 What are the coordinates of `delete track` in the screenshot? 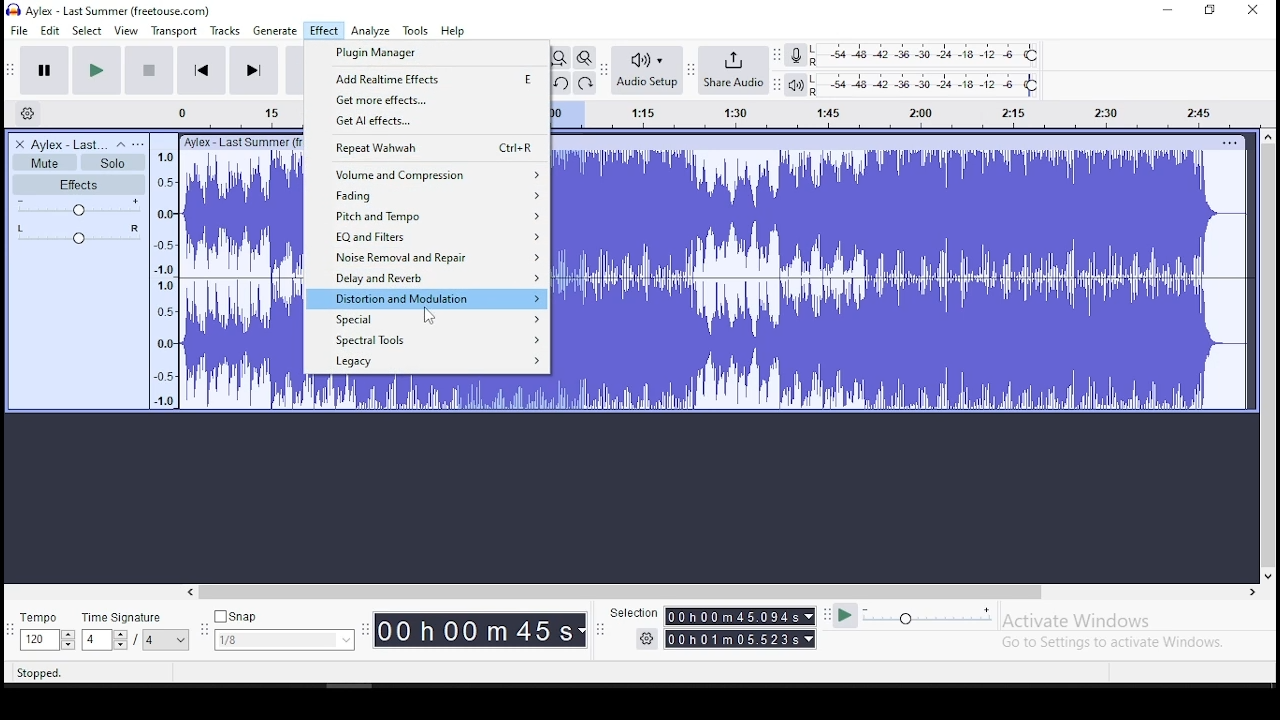 It's located at (19, 144).